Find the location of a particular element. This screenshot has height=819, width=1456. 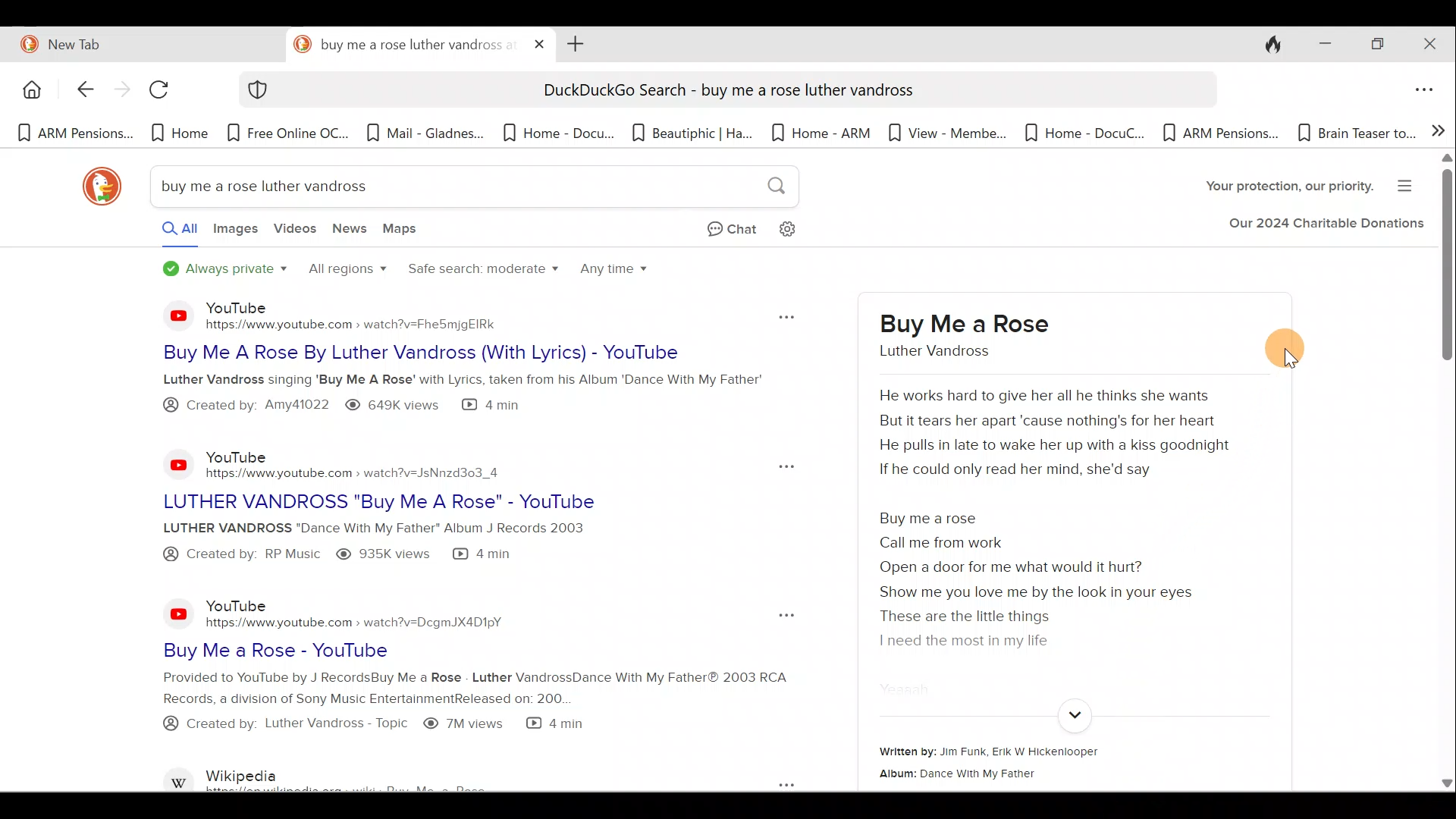

Show more bookmarks is located at coordinates (1439, 129).